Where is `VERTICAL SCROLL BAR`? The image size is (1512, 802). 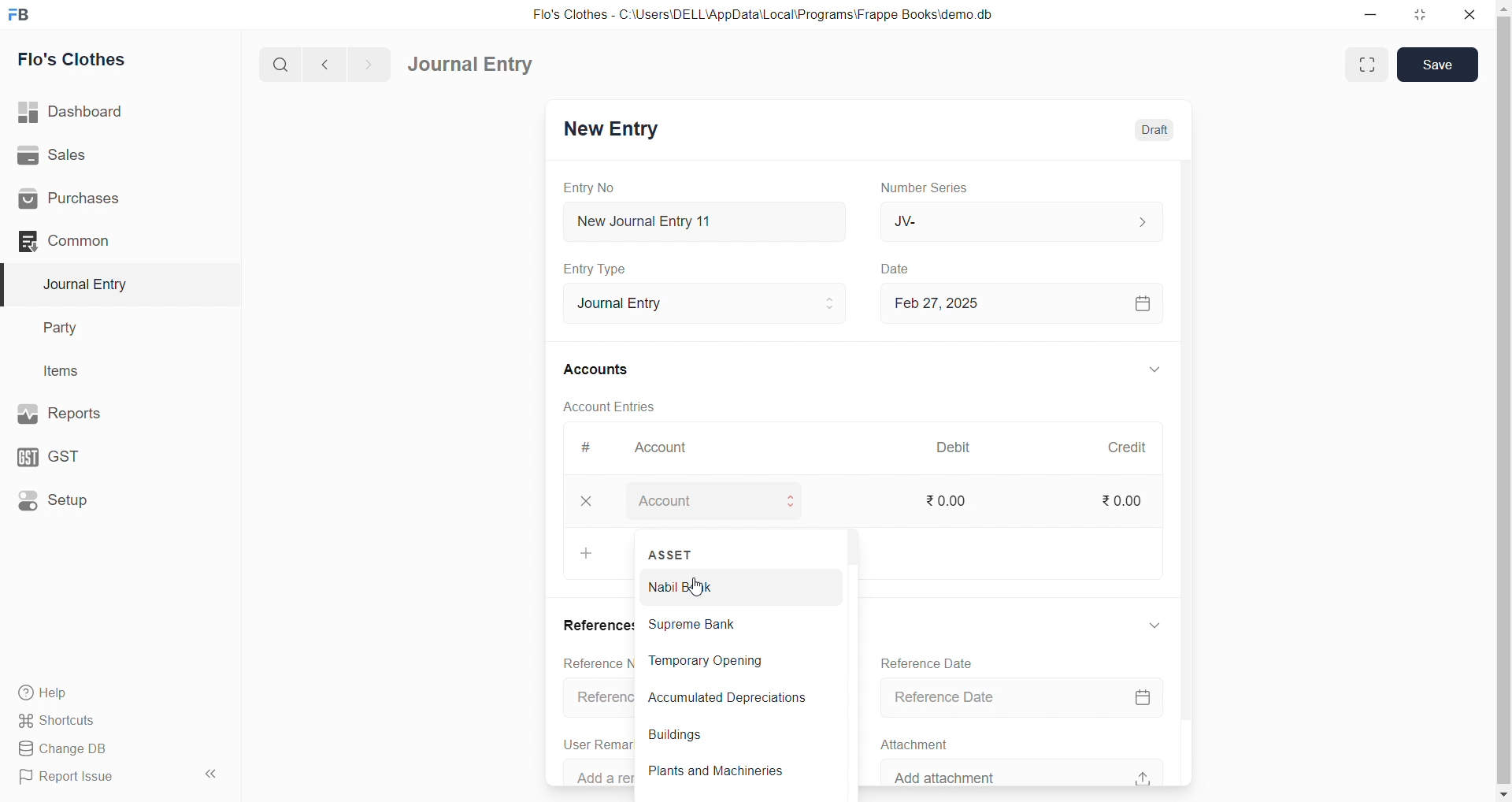
VERTICAL SCROLL BAR is located at coordinates (1192, 472).